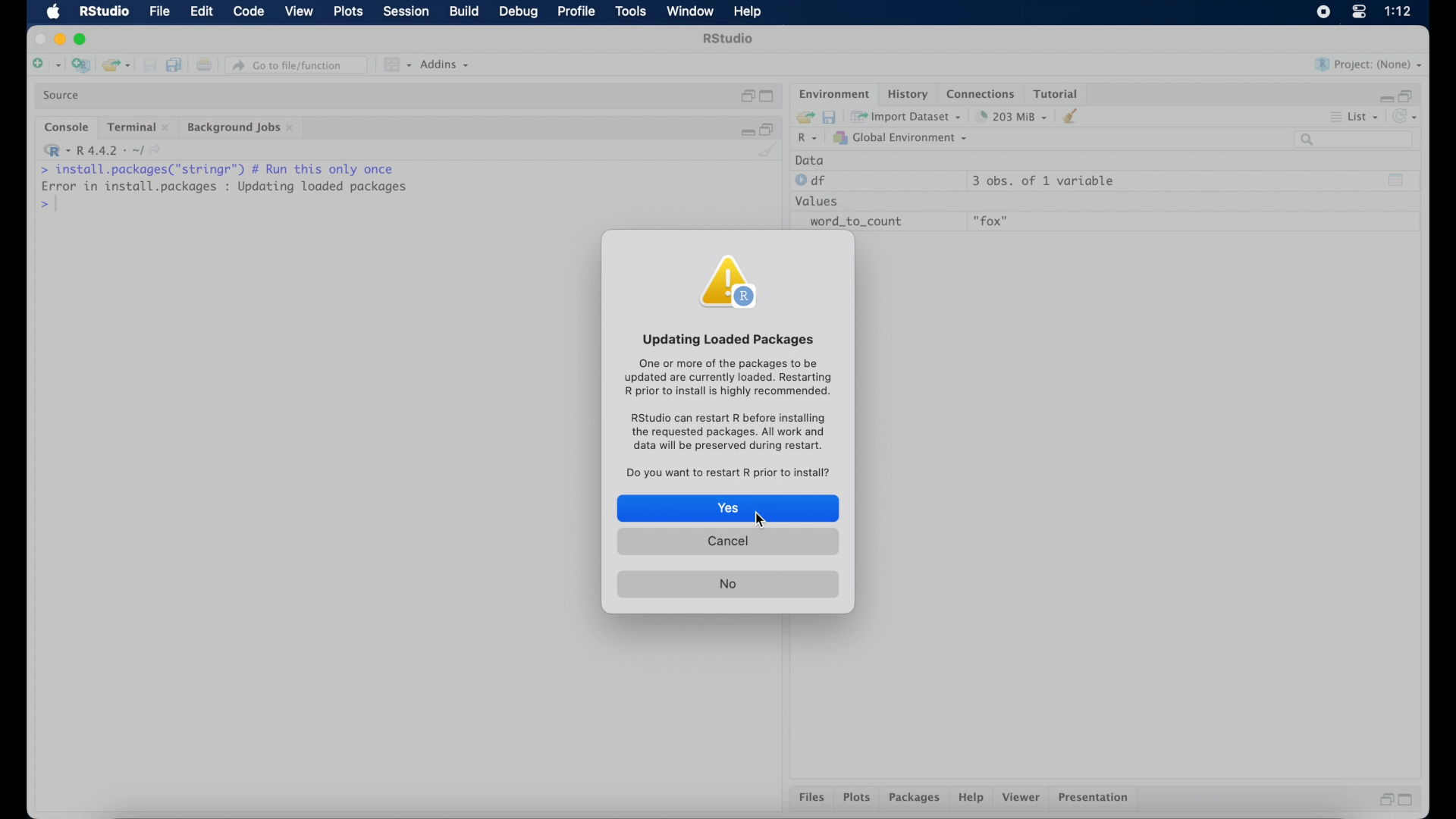 The width and height of the screenshot is (1456, 819). Describe the element at coordinates (769, 97) in the screenshot. I see `maximize` at that location.